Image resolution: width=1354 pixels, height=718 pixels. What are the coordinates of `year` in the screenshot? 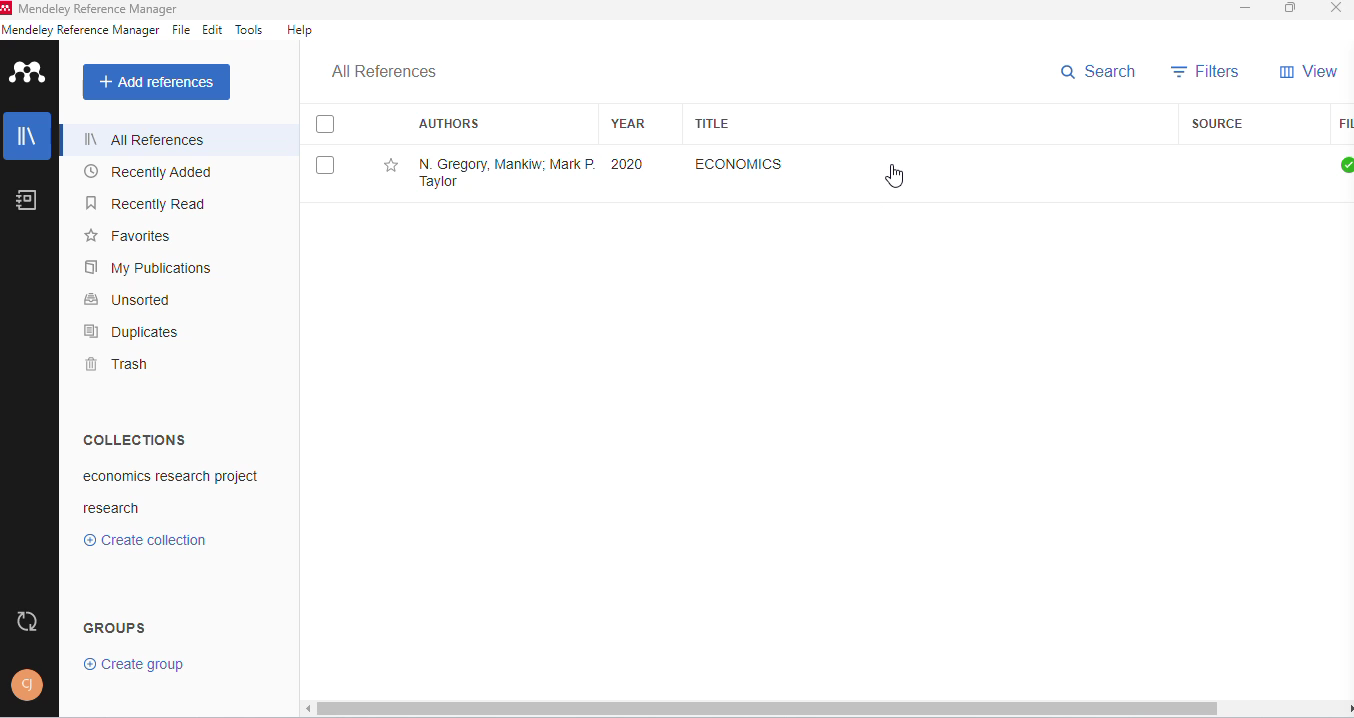 It's located at (629, 124).